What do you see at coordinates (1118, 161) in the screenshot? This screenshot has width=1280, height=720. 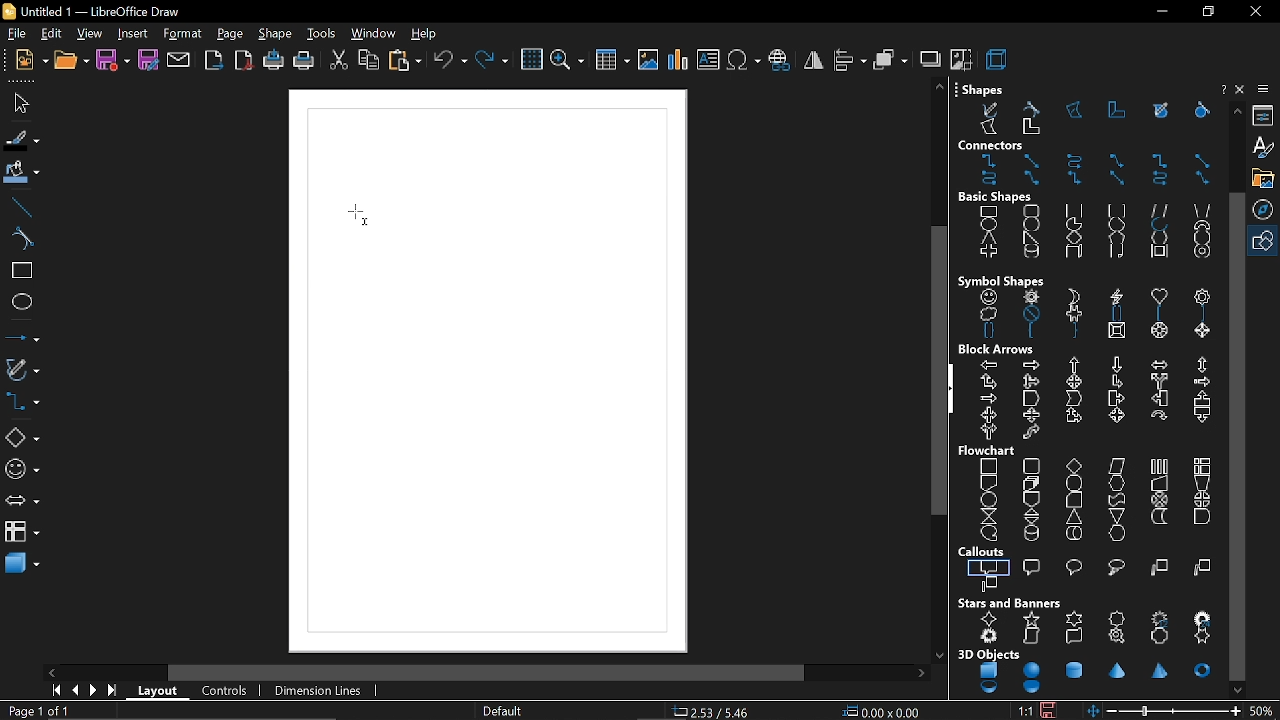 I see `line connector ends with arrow` at bounding box center [1118, 161].